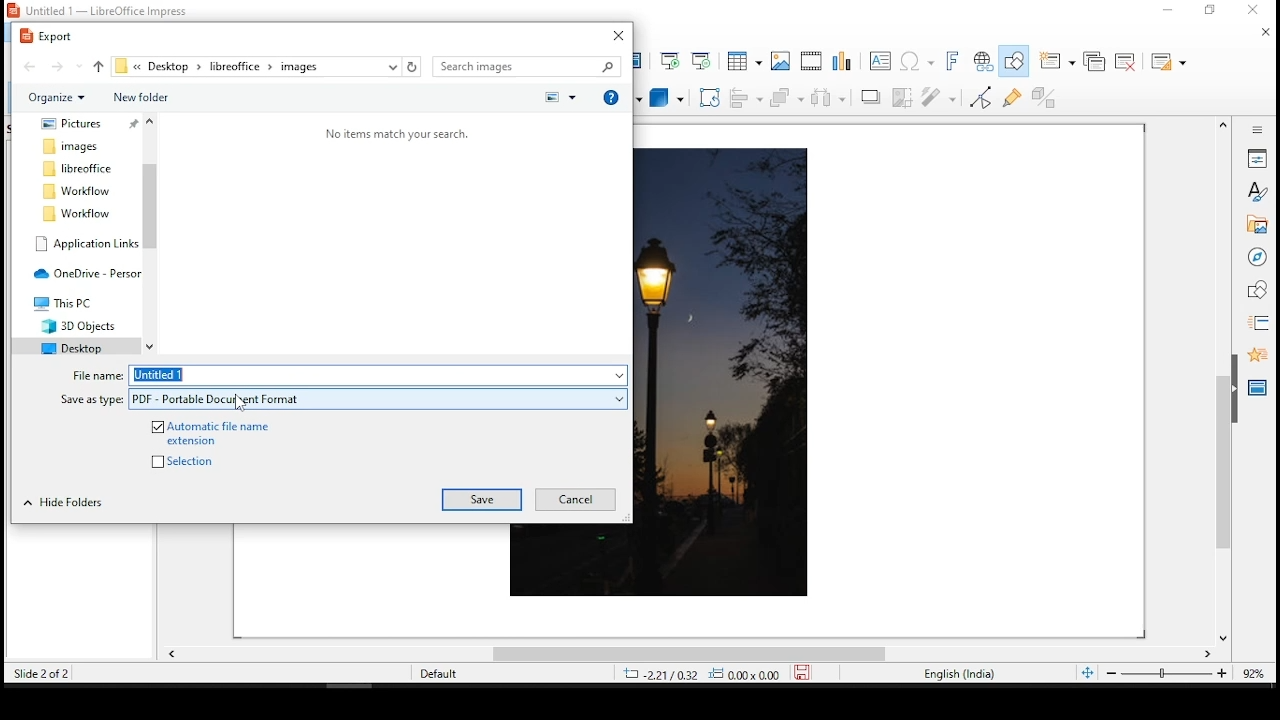 The height and width of the screenshot is (720, 1280). Describe the element at coordinates (1255, 192) in the screenshot. I see `styles` at that location.